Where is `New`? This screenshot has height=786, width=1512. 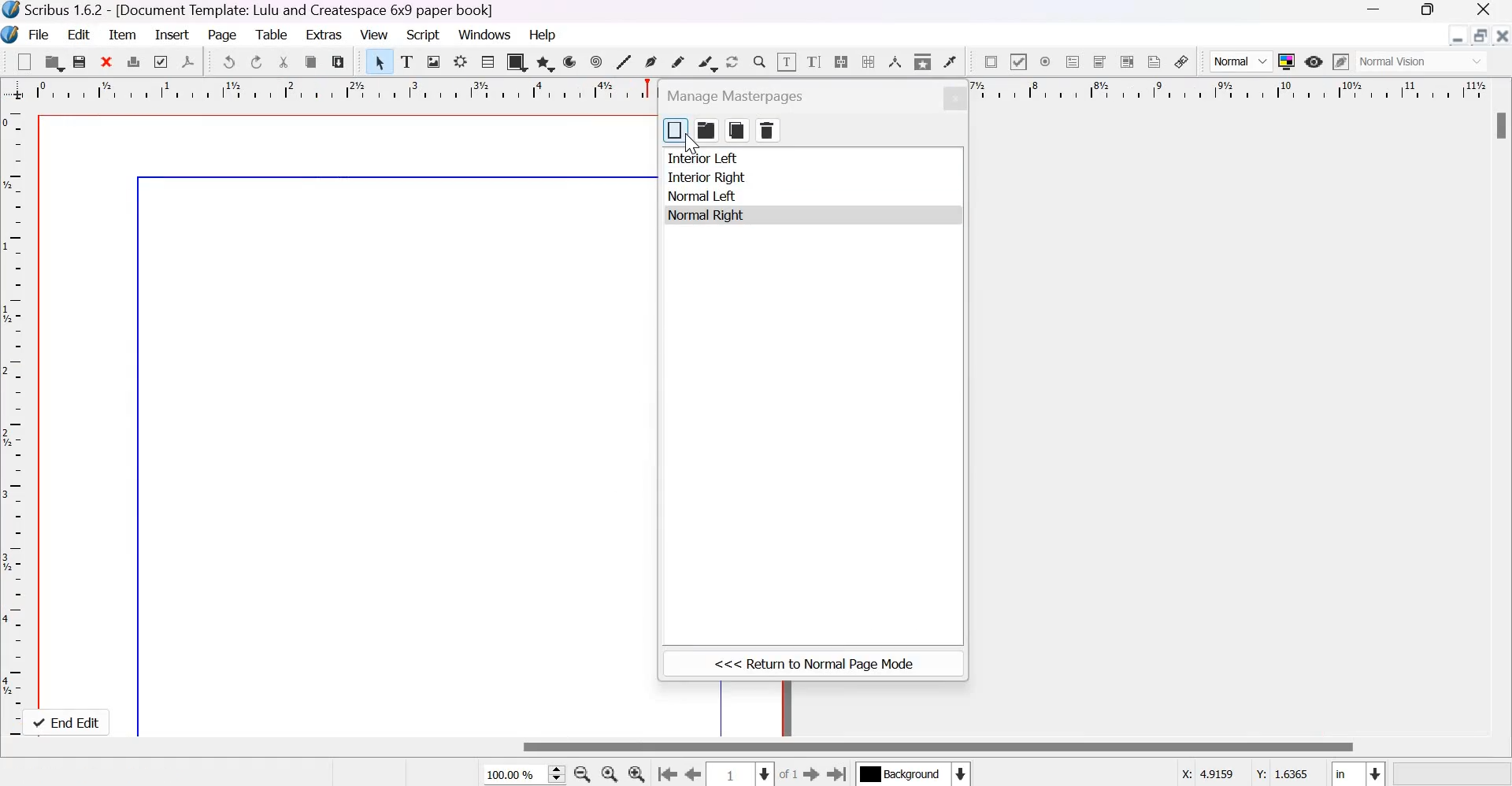
New is located at coordinates (24, 61).